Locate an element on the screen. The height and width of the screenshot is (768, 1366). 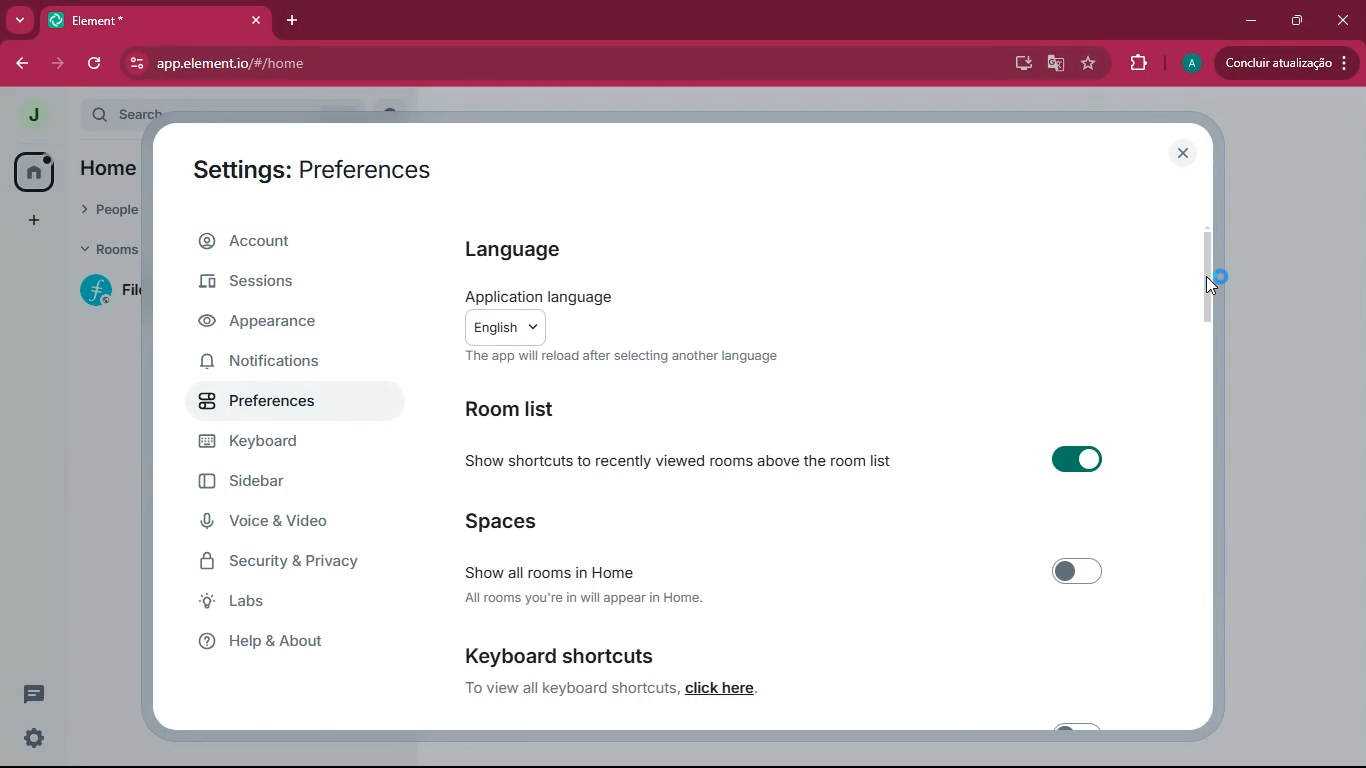
profile picture is located at coordinates (1188, 63).